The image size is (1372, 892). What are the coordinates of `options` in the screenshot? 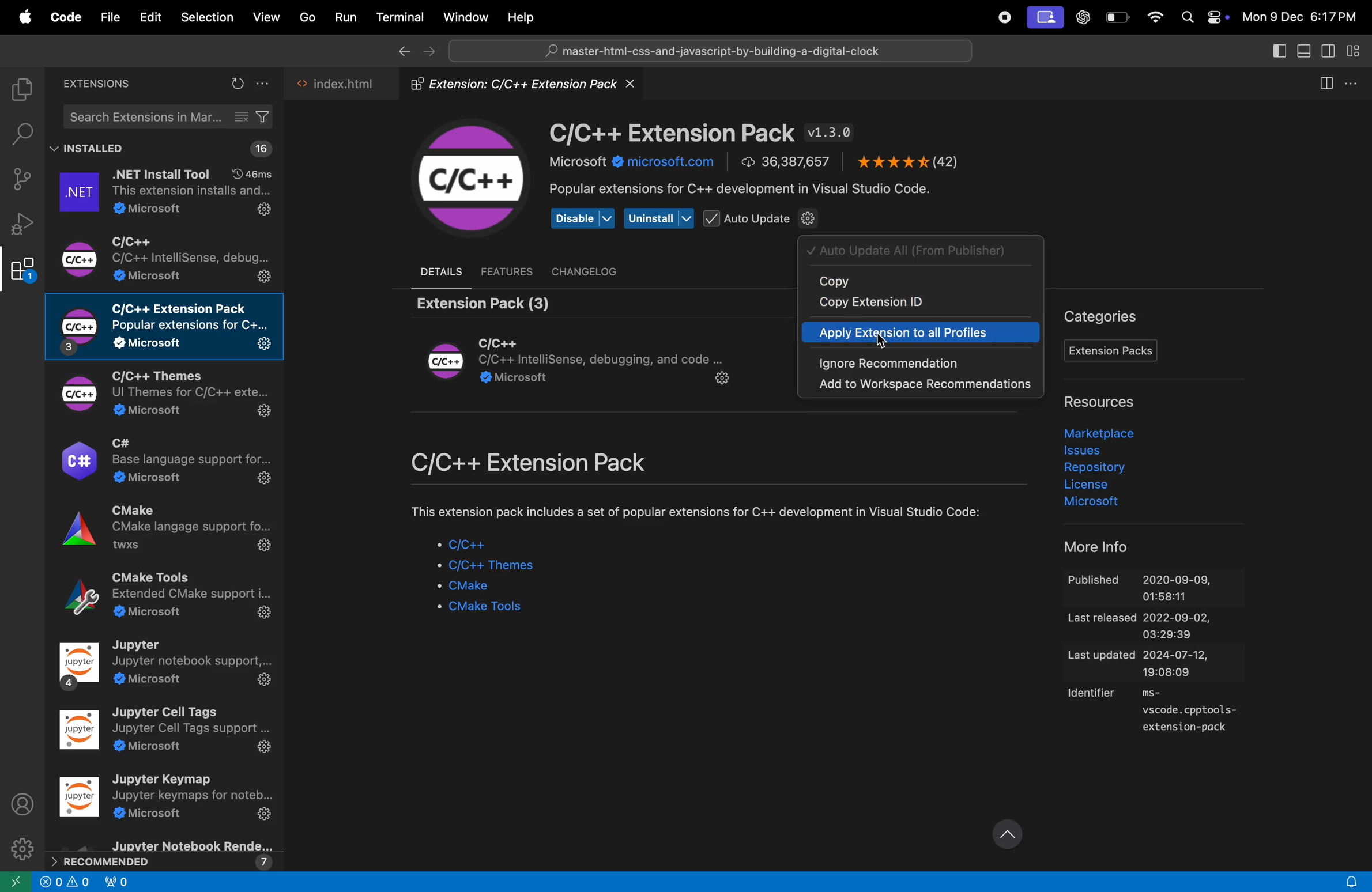 It's located at (267, 85).